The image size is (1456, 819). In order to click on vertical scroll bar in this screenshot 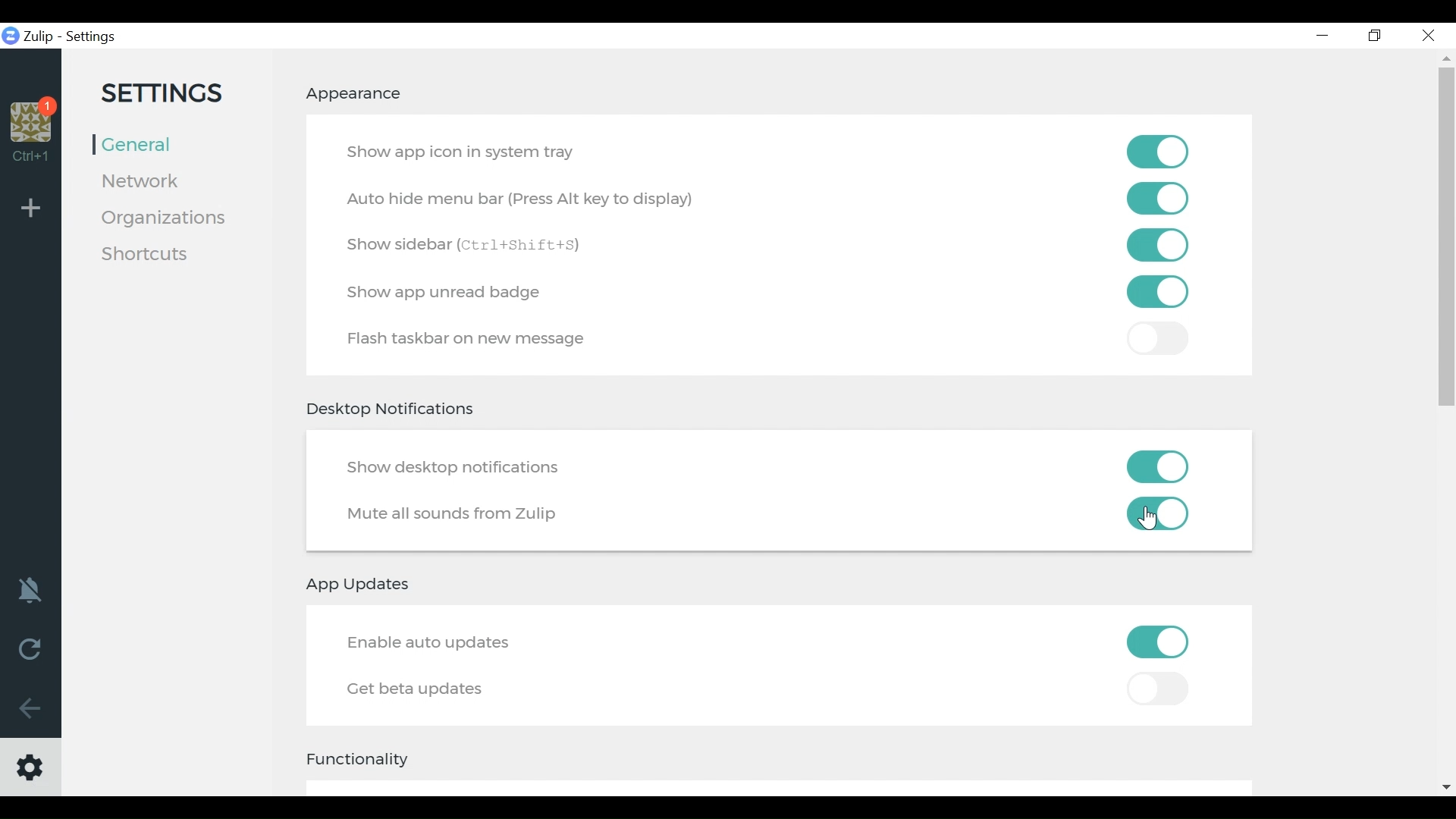, I will do `click(1447, 251)`.